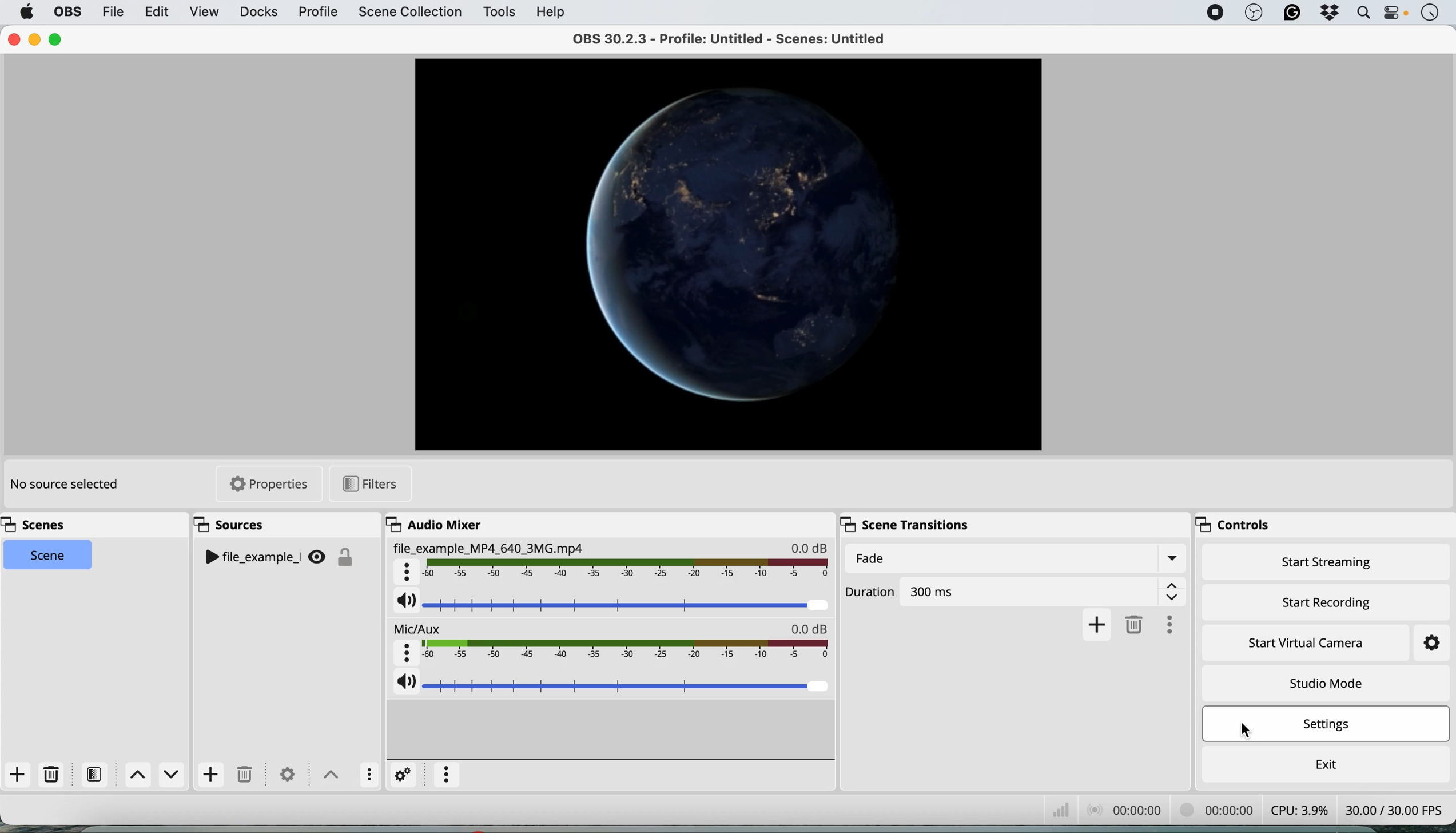 Image resolution: width=1456 pixels, height=833 pixels. Describe the element at coordinates (611, 645) in the screenshot. I see `mic aux audio` at that location.